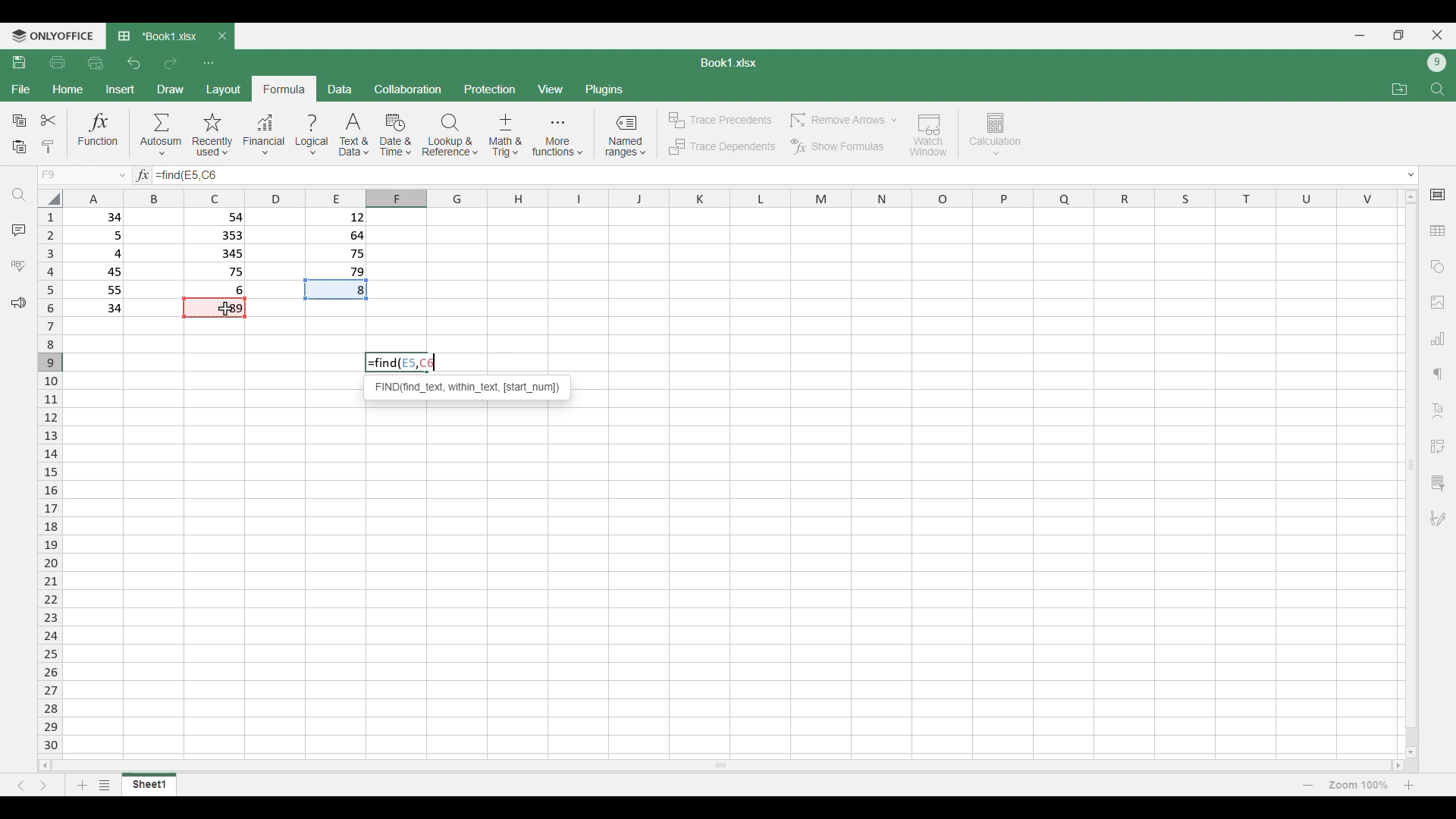  Describe the element at coordinates (167, 175) in the screenshot. I see `Function typed in` at that location.